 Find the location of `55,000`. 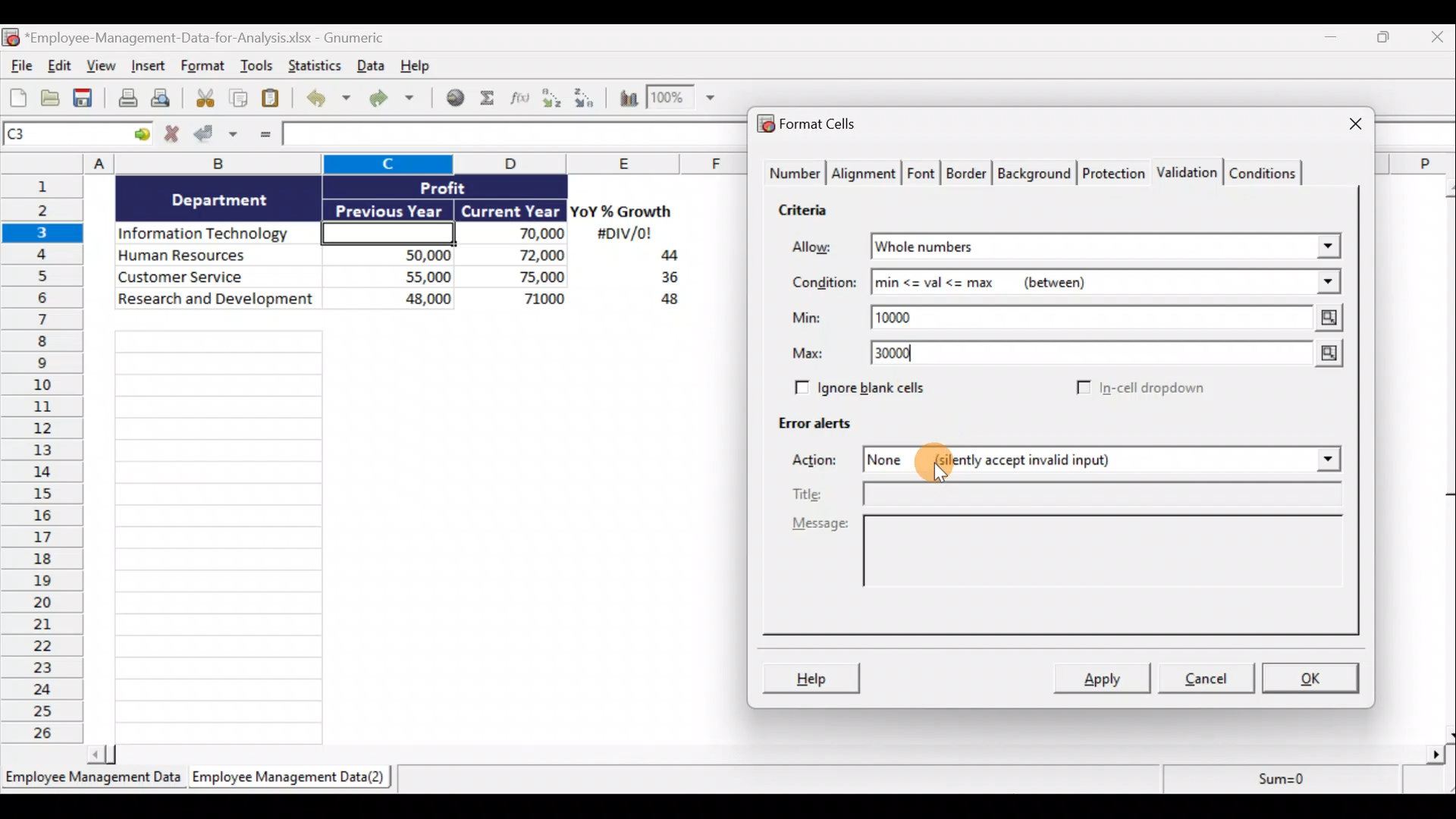

55,000 is located at coordinates (397, 276).